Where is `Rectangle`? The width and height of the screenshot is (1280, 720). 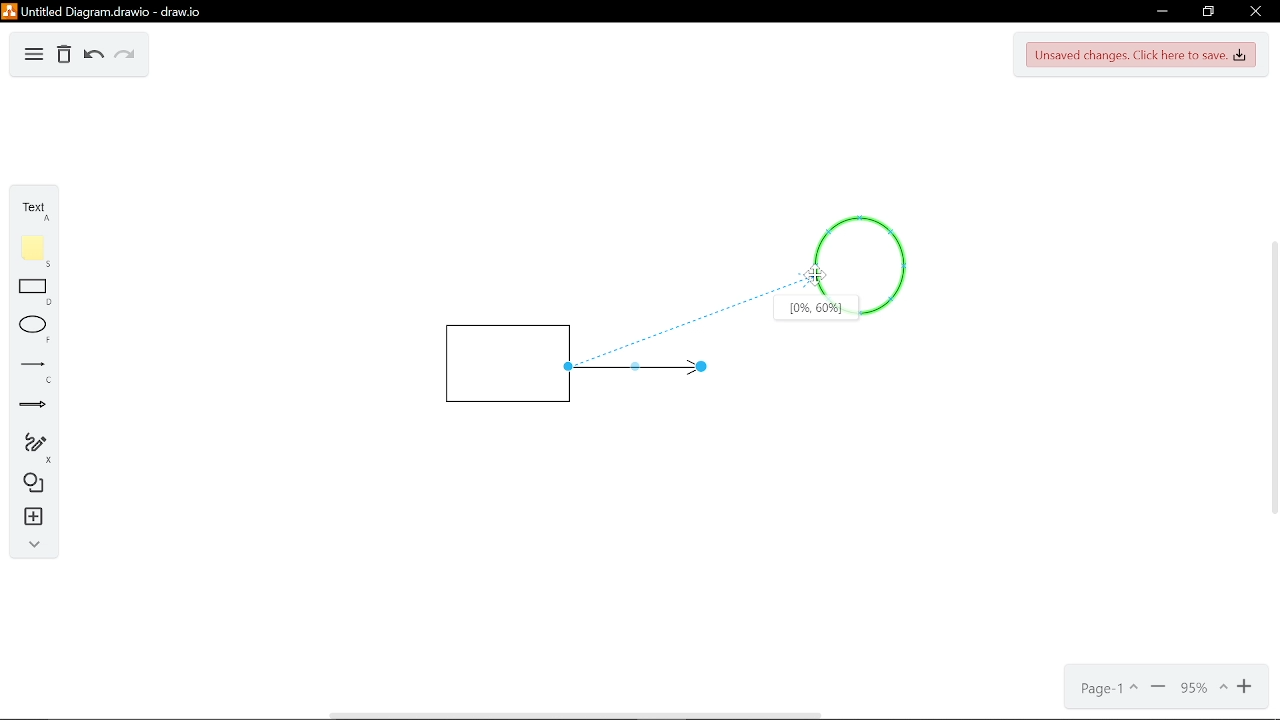 Rectangle is located at coordinates (29, 292).